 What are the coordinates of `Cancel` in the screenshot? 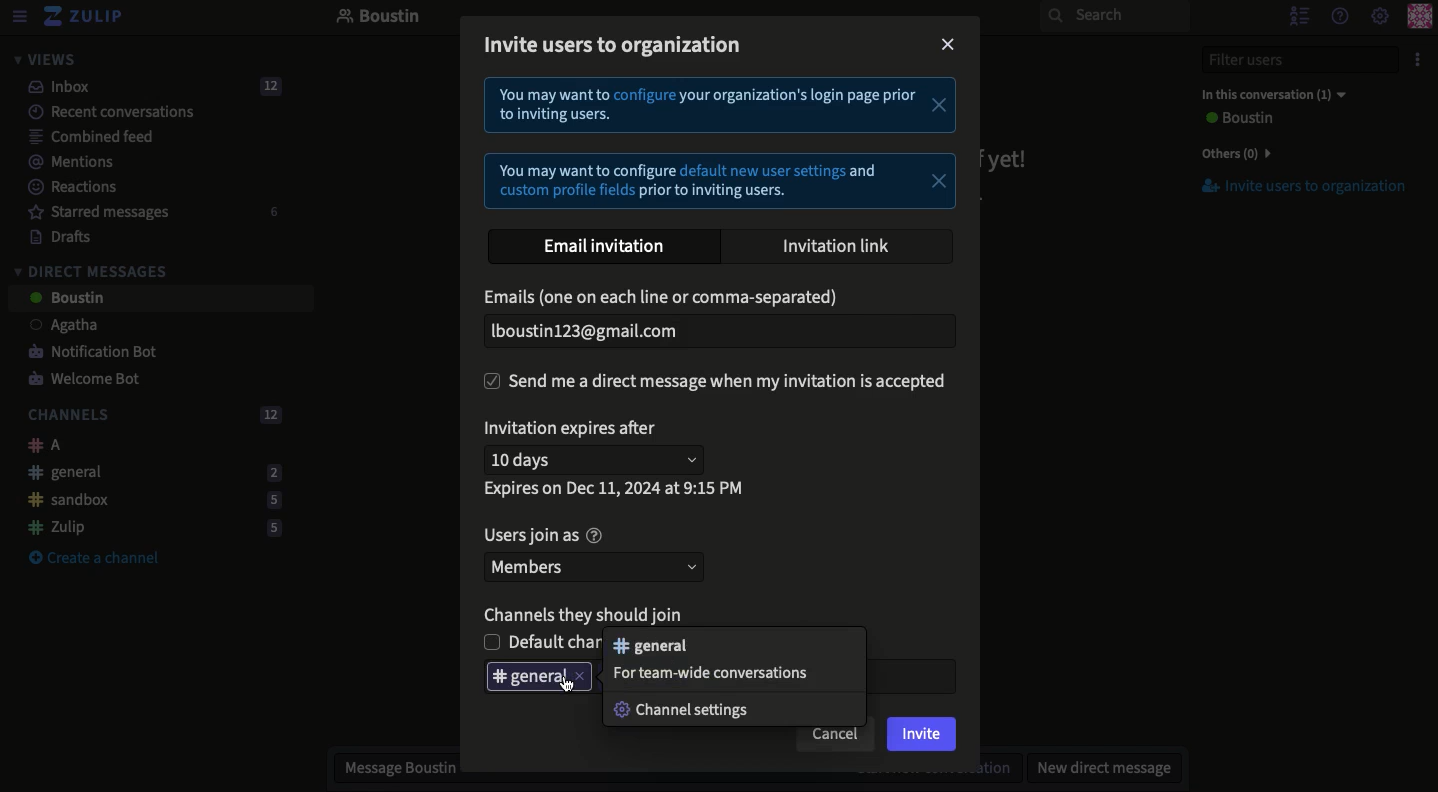 It's located at (835, 734).